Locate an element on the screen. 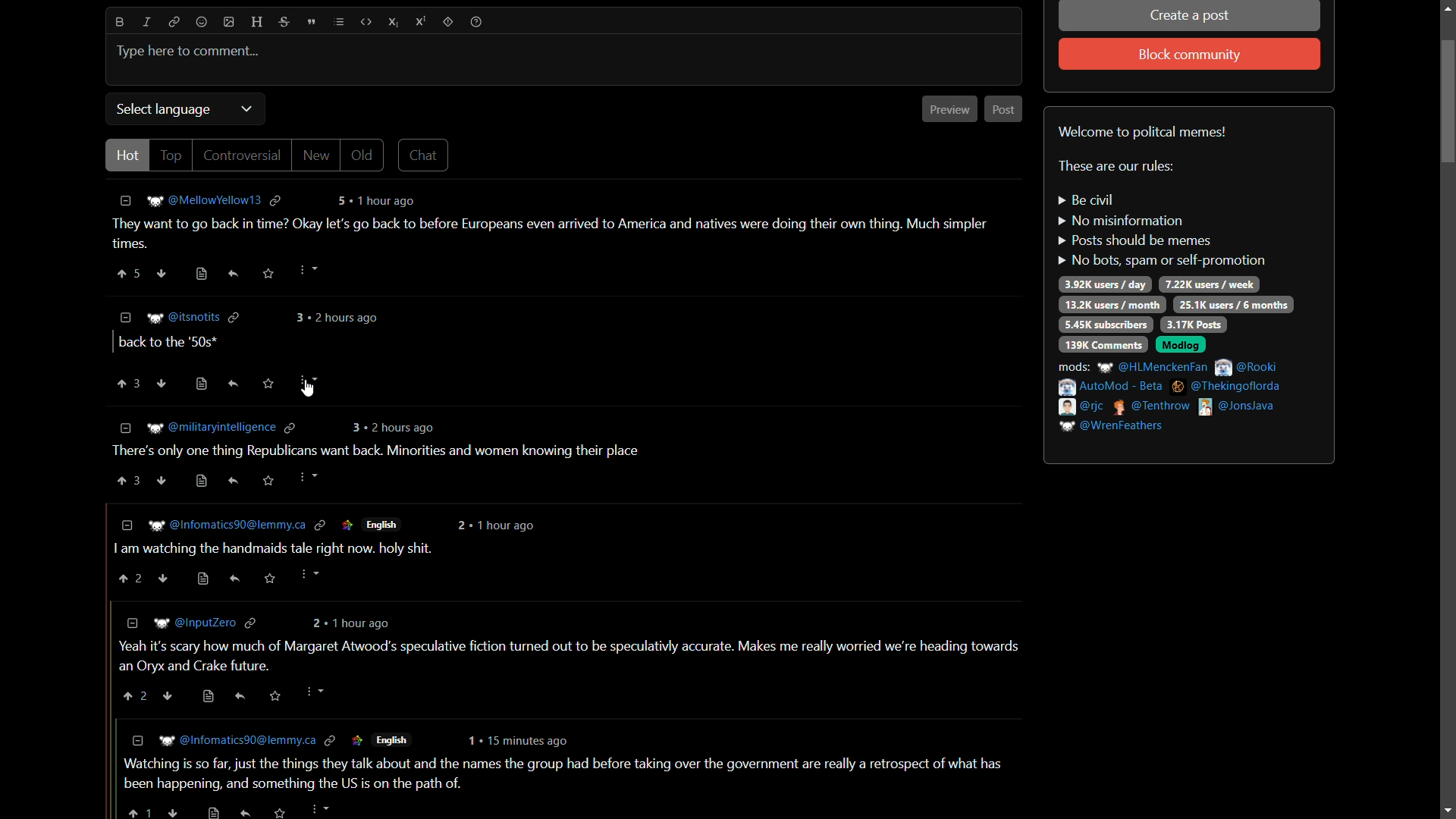  emoji is located at coordinates (202, 23).